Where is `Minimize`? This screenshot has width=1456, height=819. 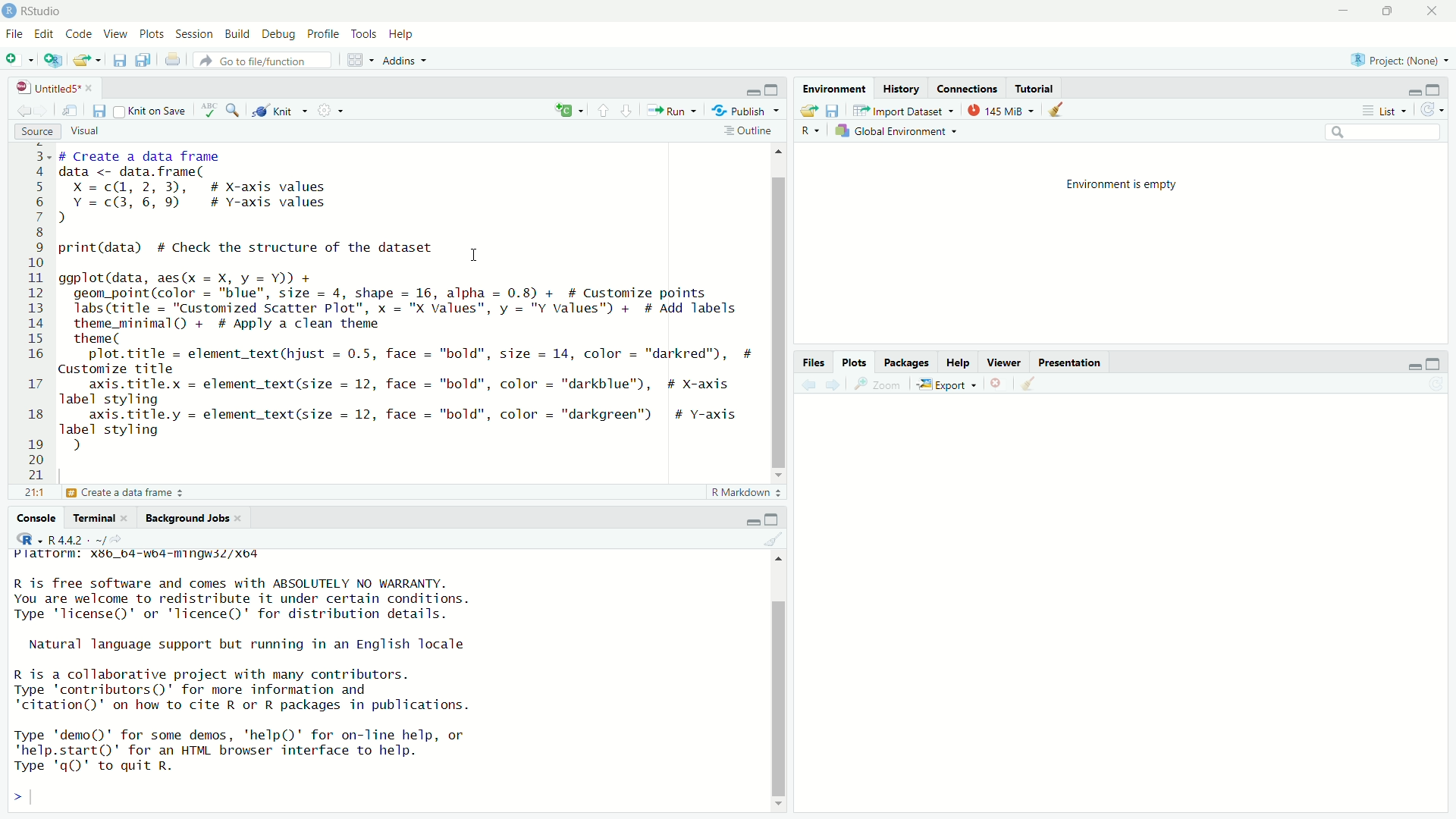 Minimize is located at coordinates (1412, 93).